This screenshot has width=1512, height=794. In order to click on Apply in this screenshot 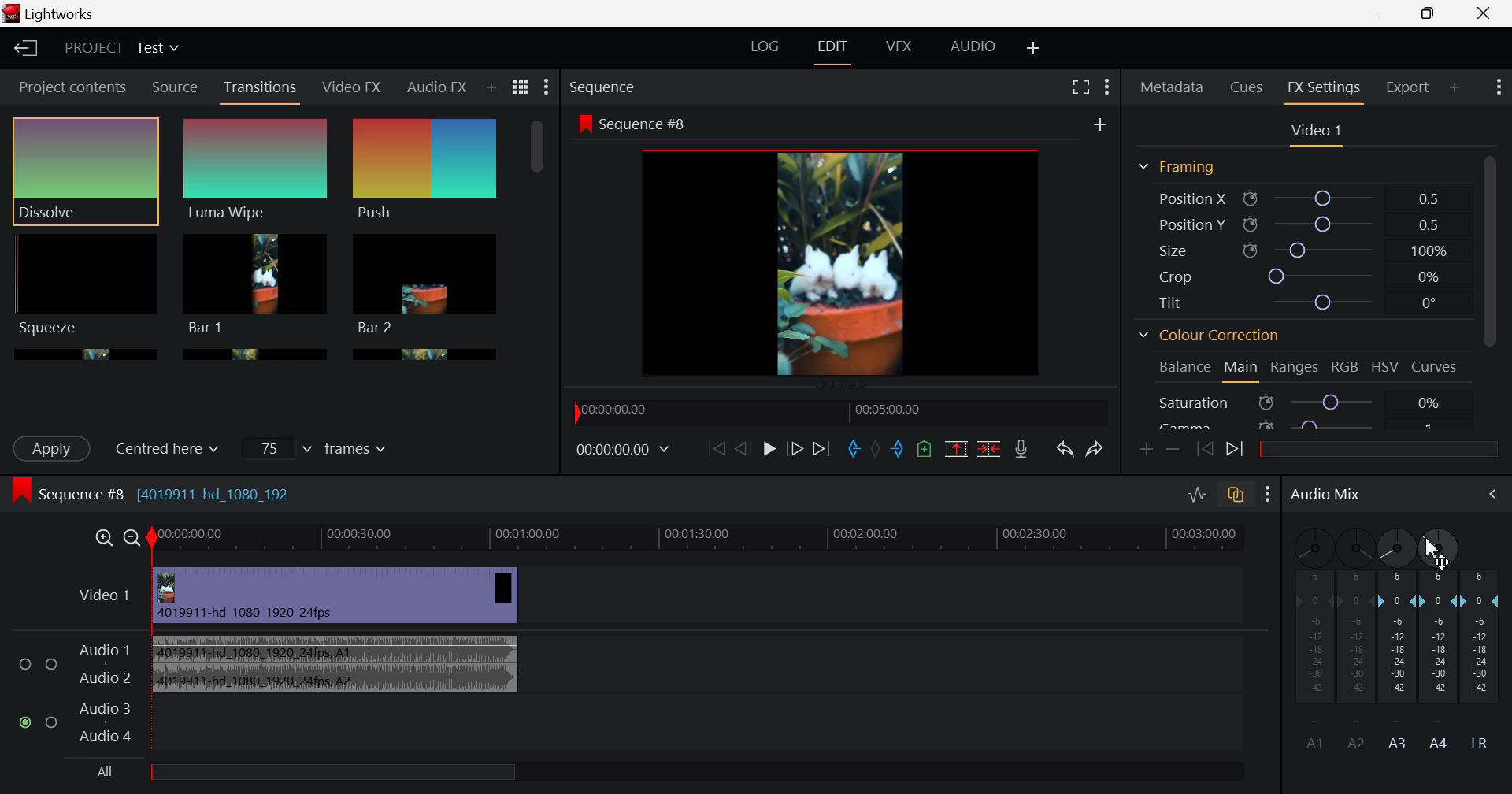, I will do `click(54, 448)`.